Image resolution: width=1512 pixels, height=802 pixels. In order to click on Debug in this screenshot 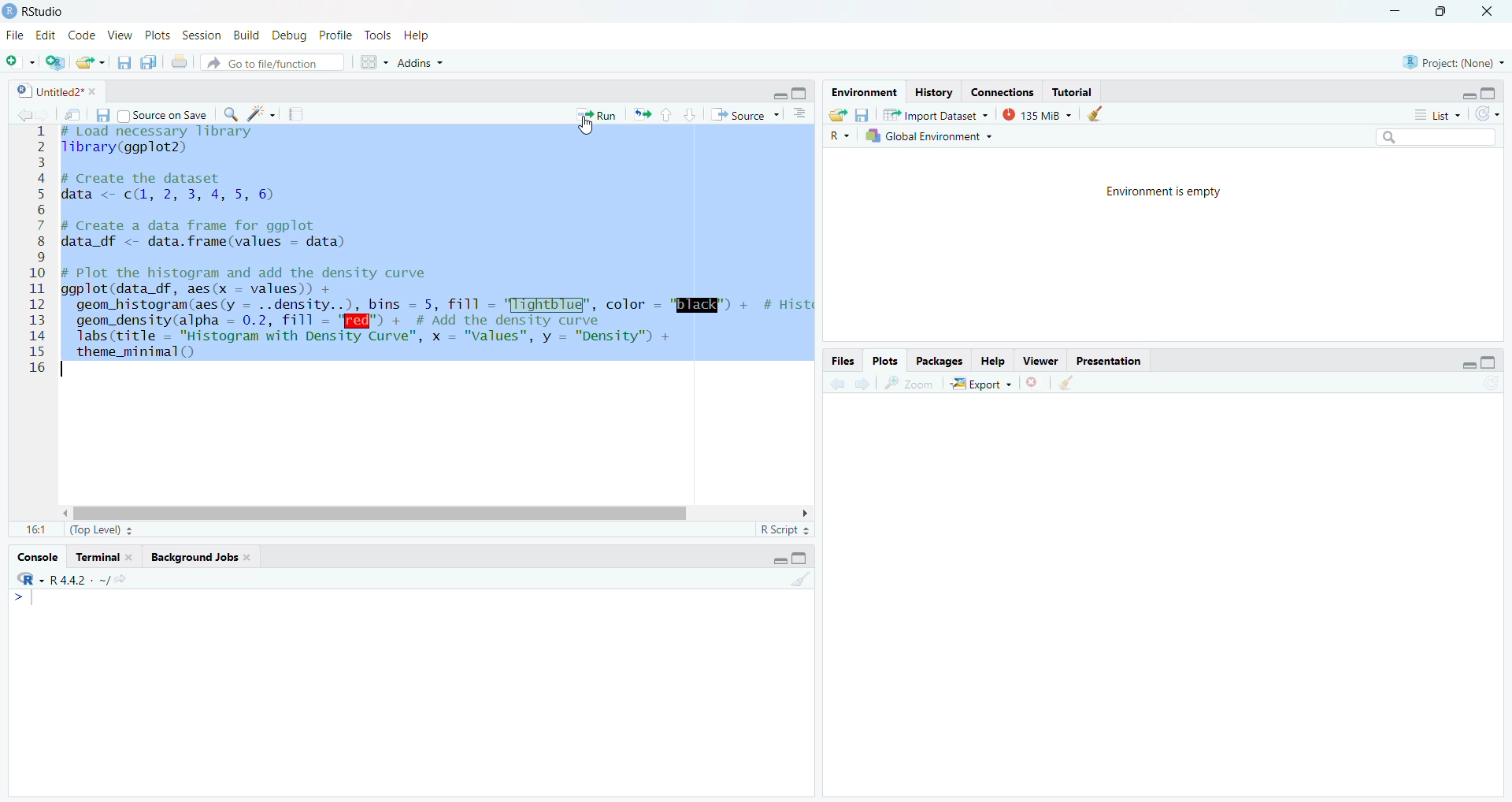, I will do `click(288, 35)`.